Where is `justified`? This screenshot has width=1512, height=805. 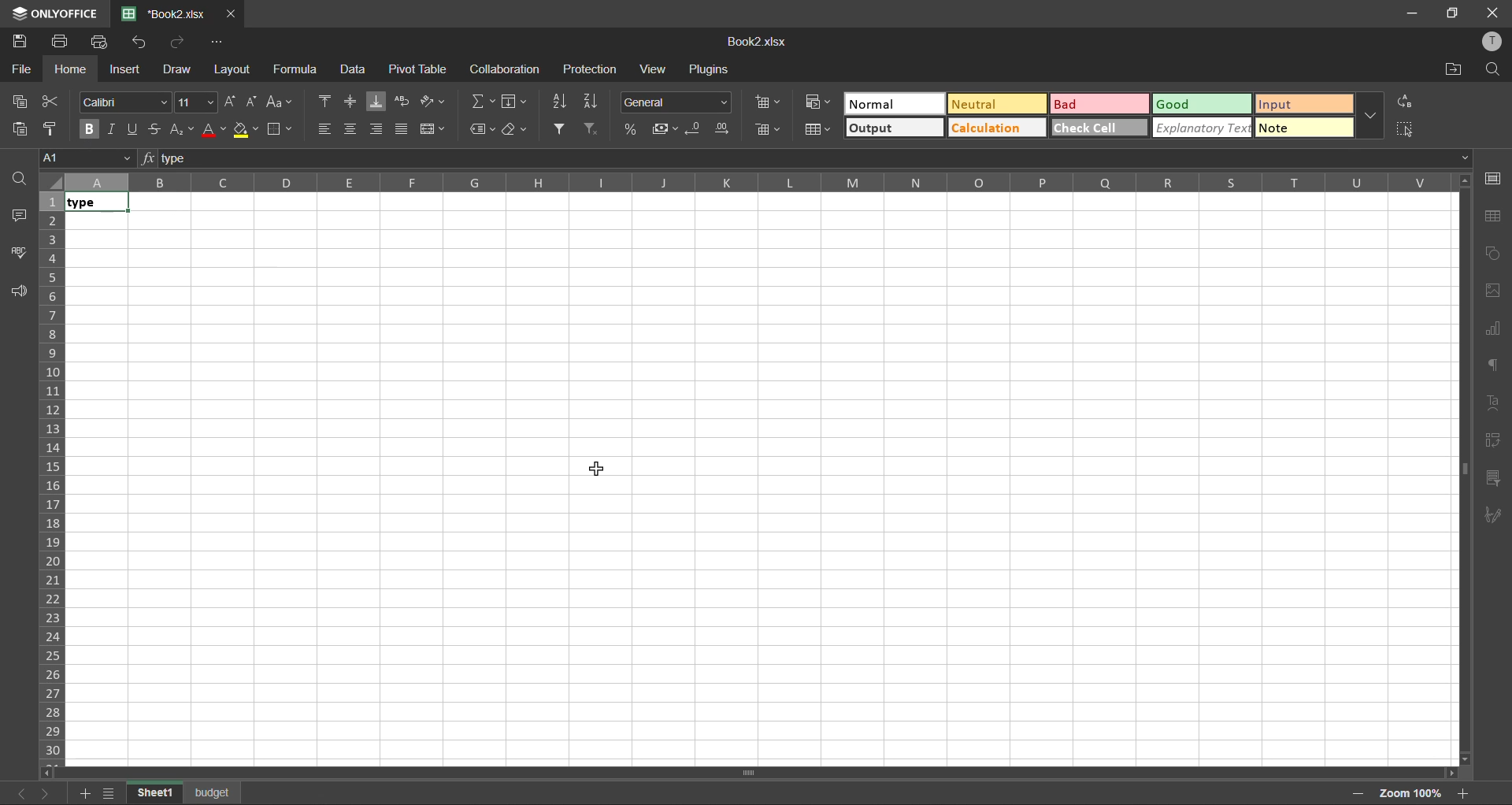
justified is located at coordinates (403, 128).